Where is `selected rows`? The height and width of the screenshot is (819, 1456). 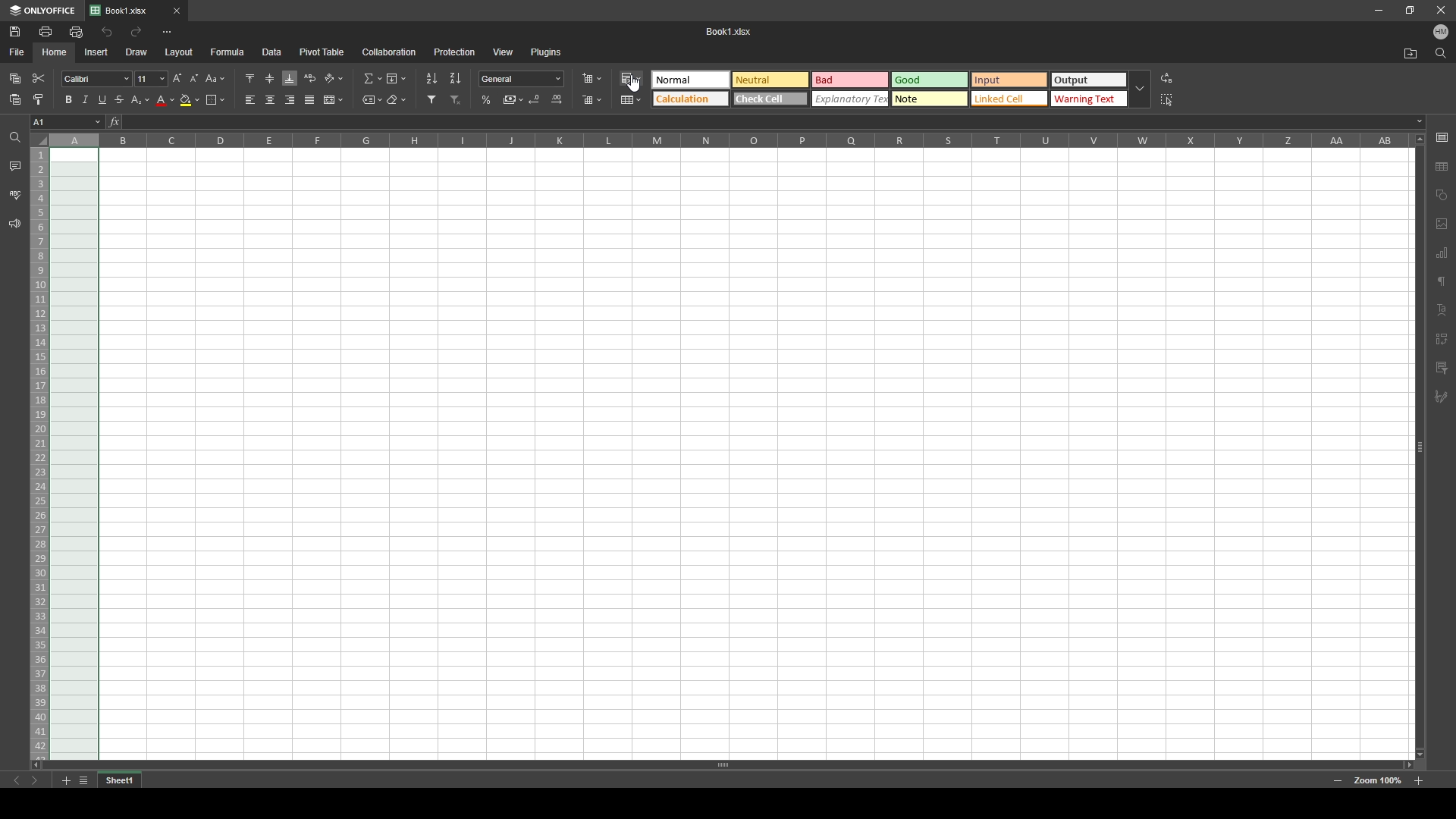
selected rows is located at coordinates (38, 454).